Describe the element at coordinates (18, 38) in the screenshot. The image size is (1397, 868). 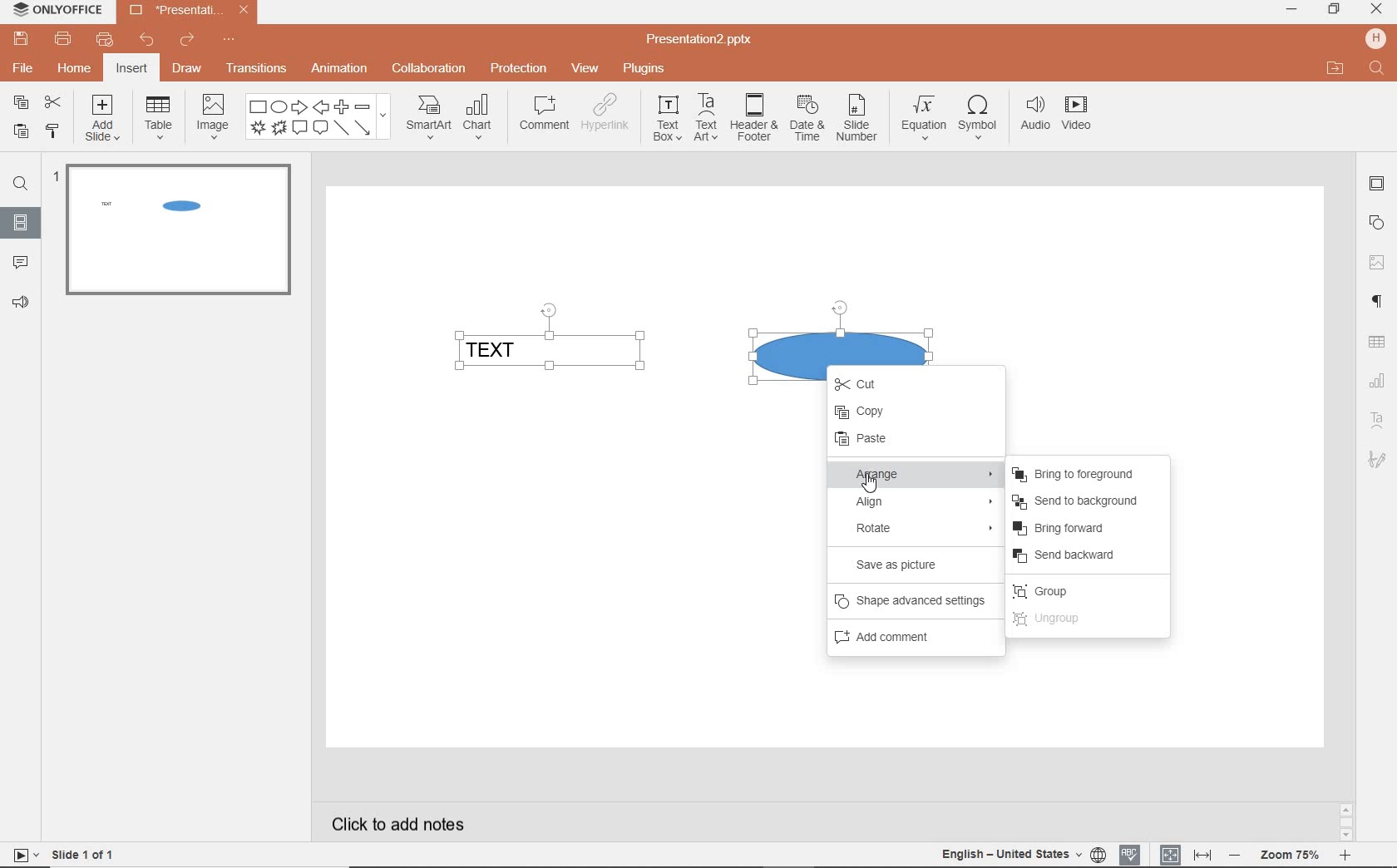
I see `save` at that location.